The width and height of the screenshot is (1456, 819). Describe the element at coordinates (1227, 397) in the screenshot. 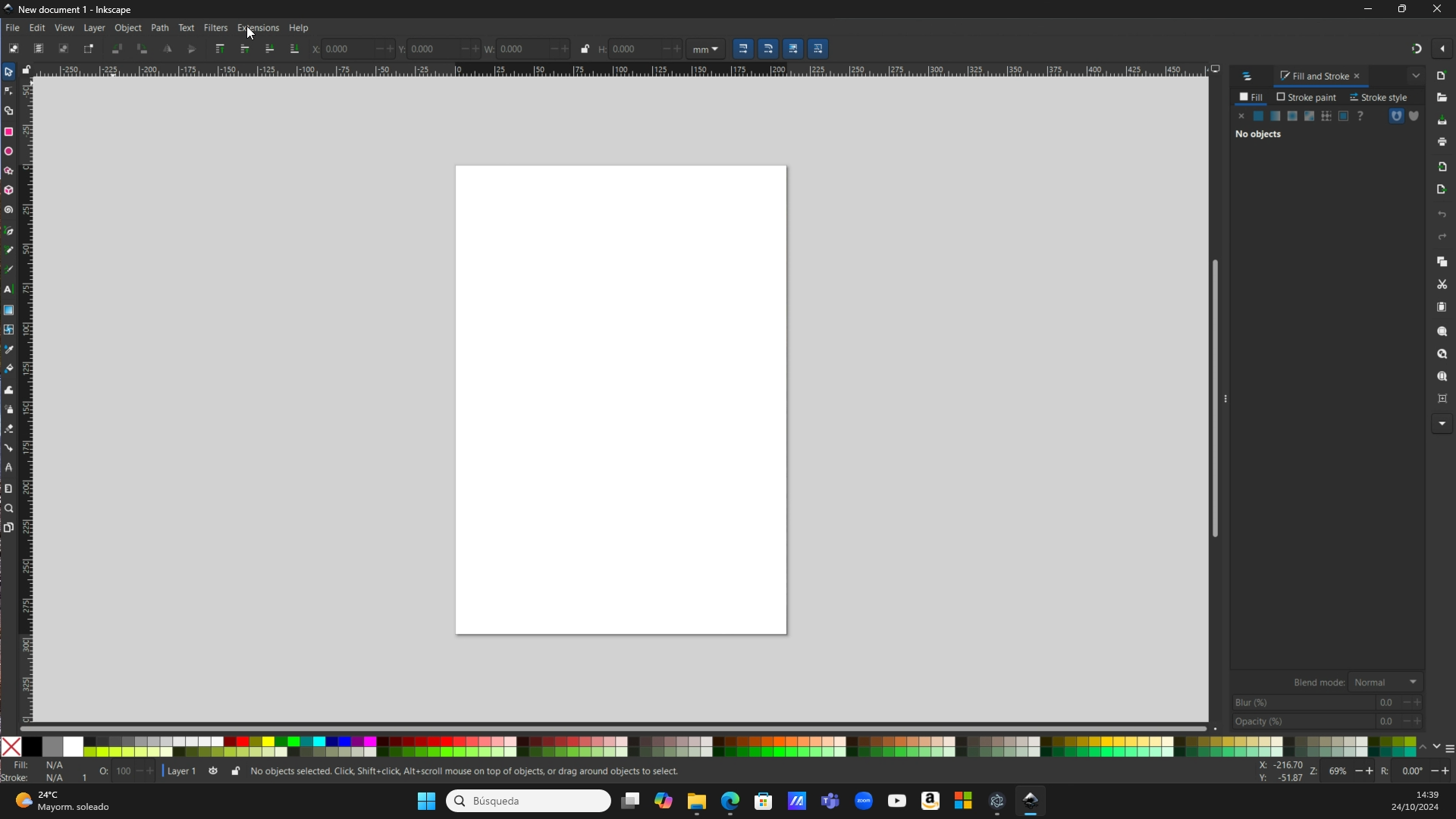

I see `collapse` at that location.